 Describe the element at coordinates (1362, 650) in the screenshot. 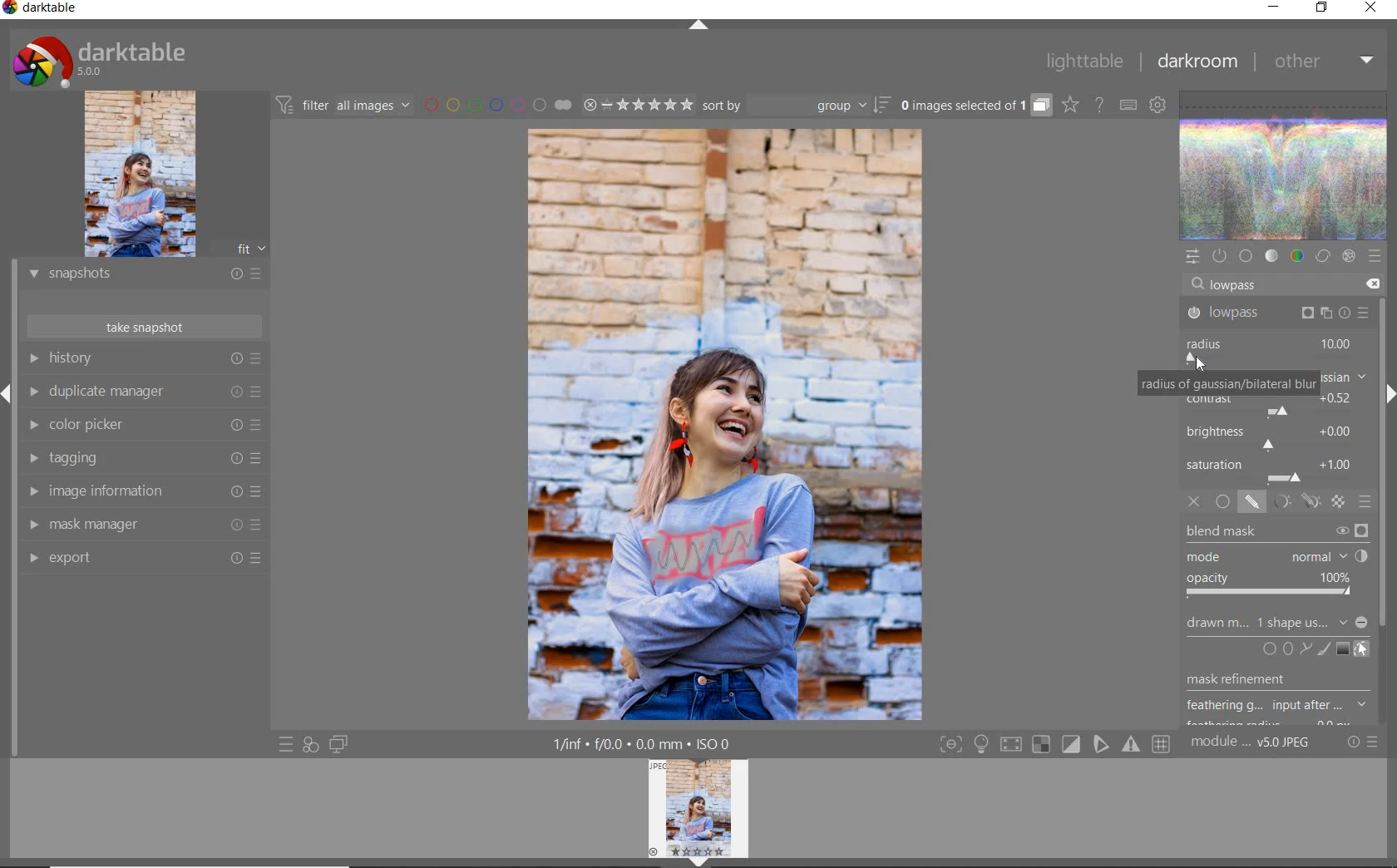

I see `show & edit mask elements` at that location.